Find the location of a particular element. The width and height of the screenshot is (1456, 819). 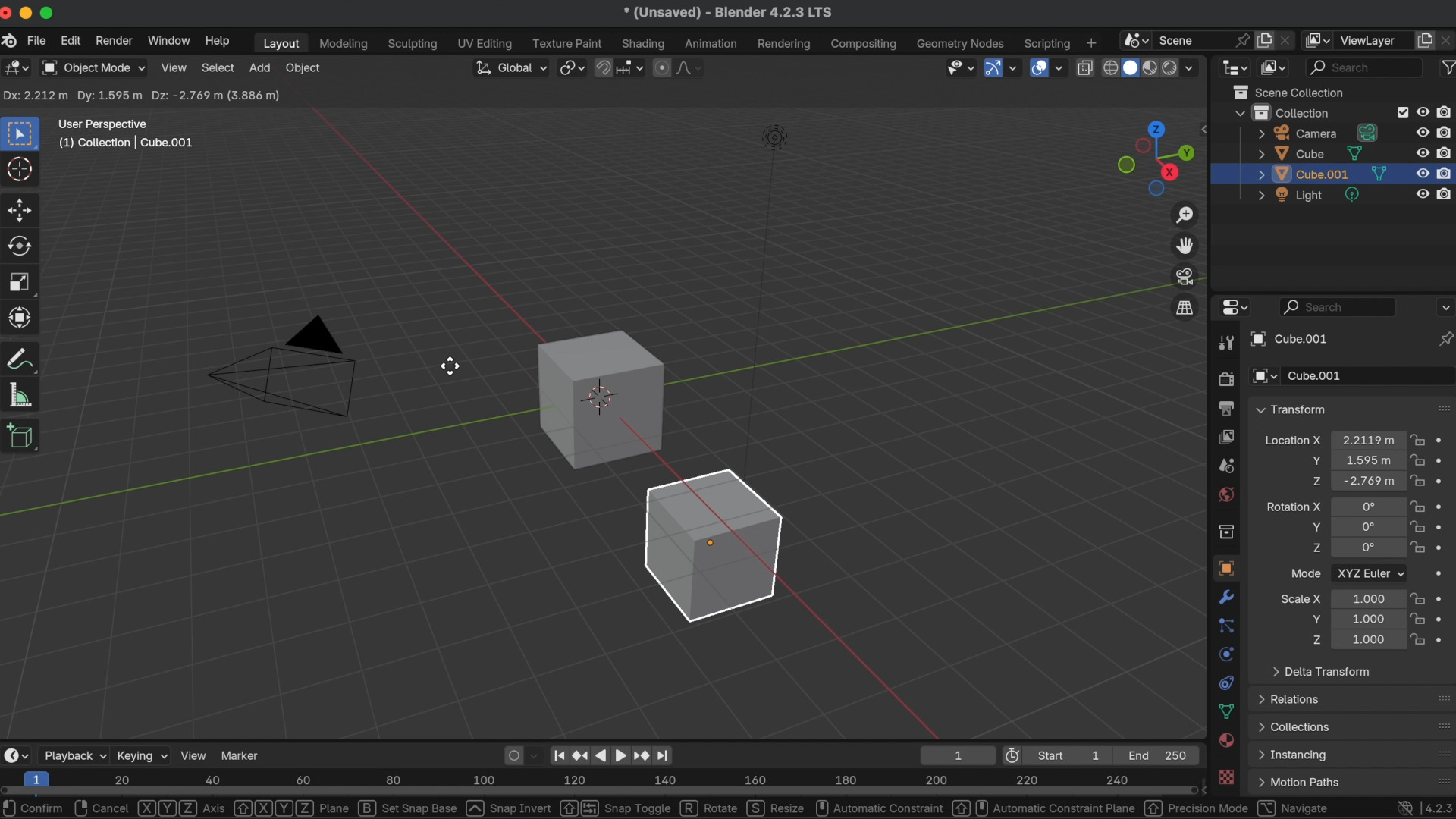

hide in viewport is located at coordinates (1423, 174).